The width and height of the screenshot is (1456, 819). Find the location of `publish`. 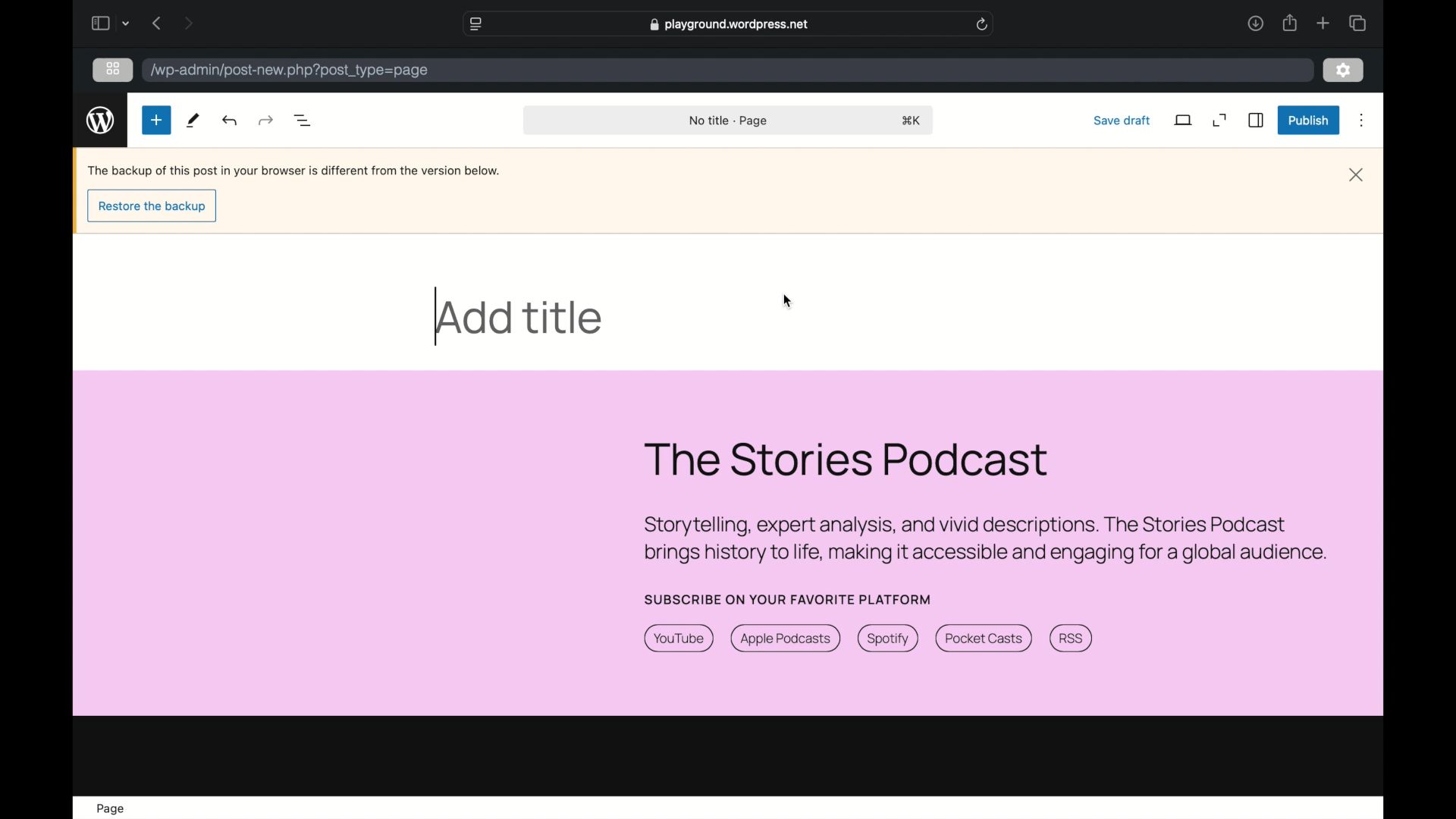

publish is located at coordinates (1310, 121).